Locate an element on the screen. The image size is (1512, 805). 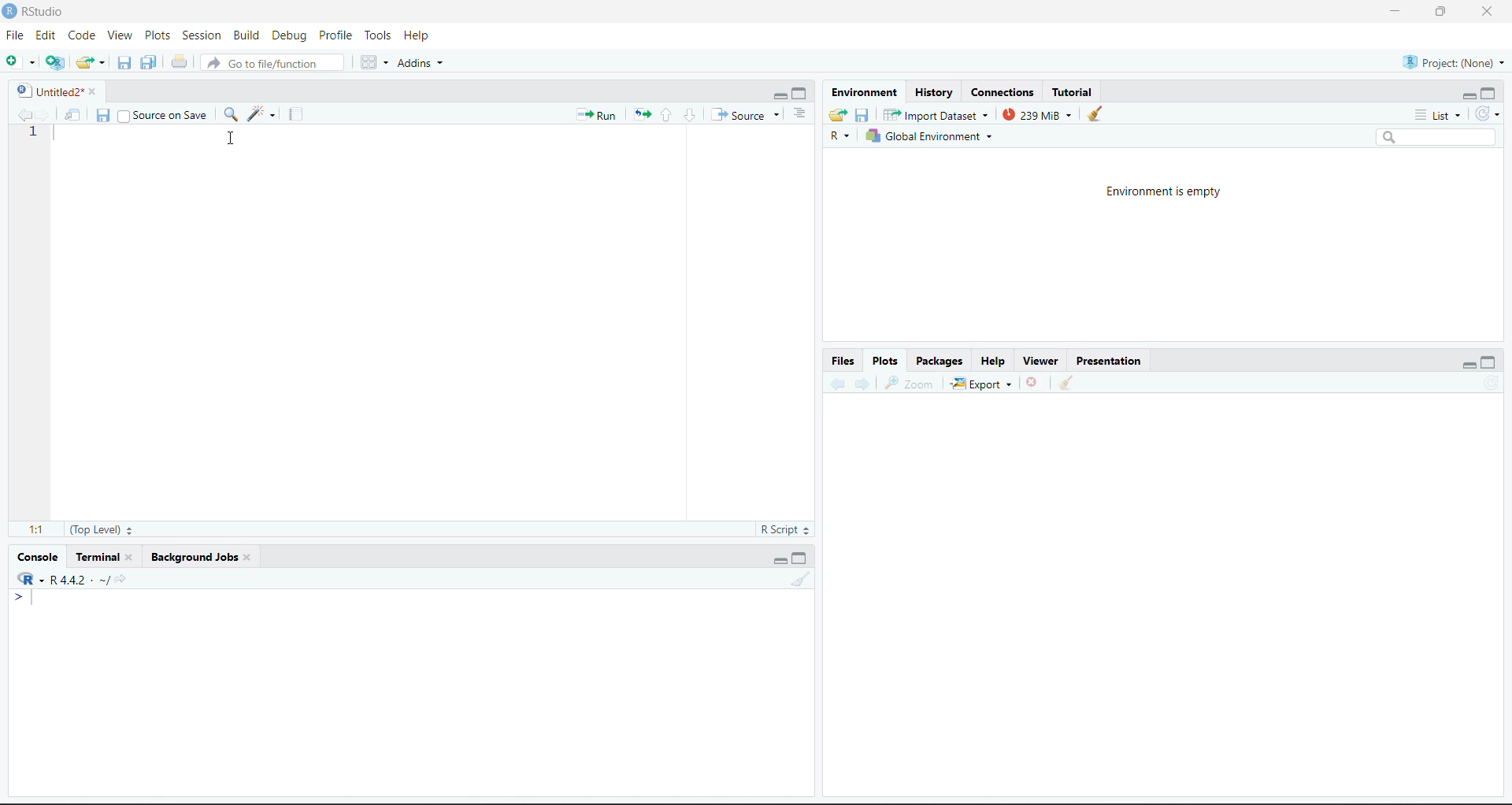
Tutorial is located at coordinates (1074, 92).